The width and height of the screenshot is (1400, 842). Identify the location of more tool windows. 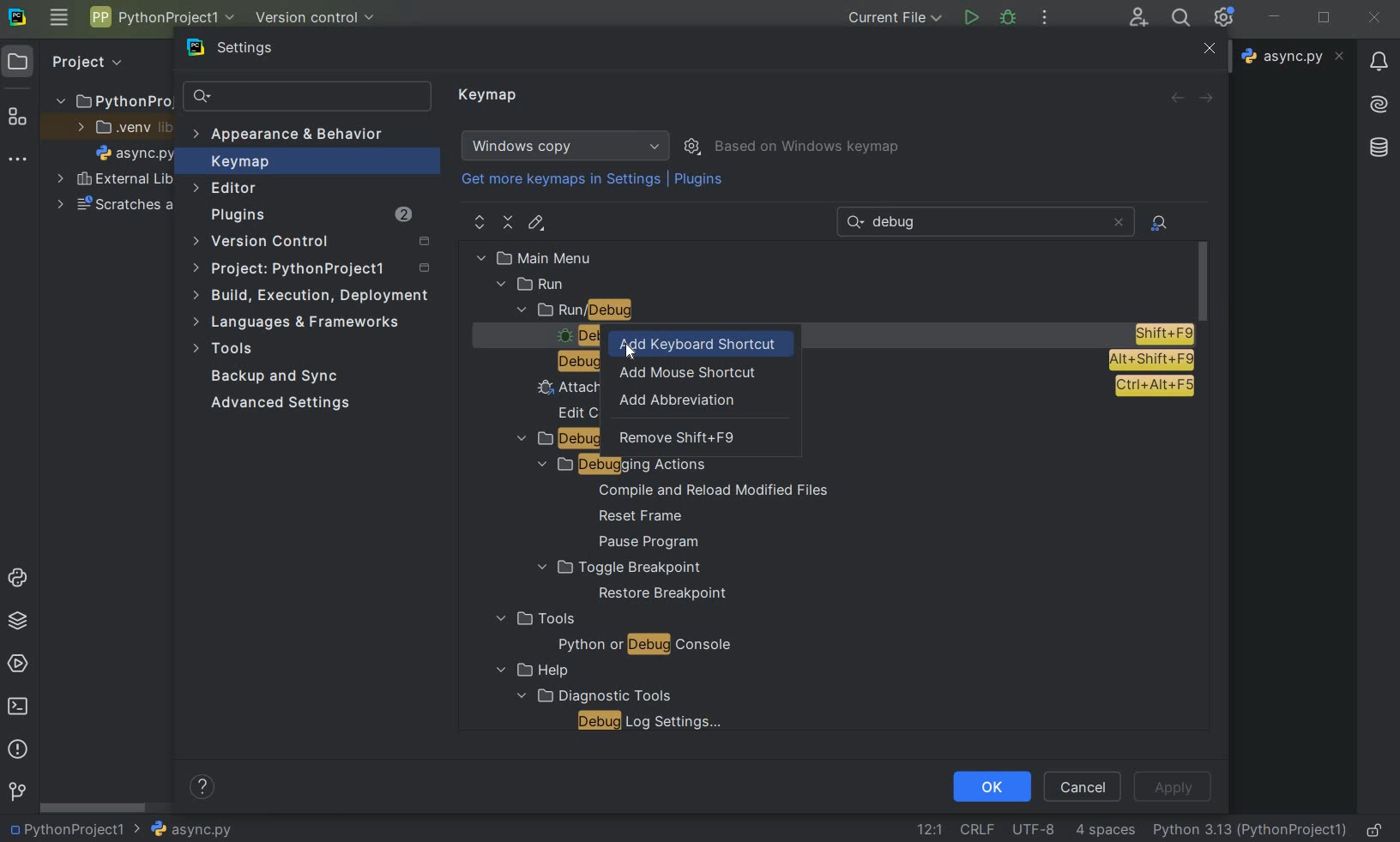
(15, 159).